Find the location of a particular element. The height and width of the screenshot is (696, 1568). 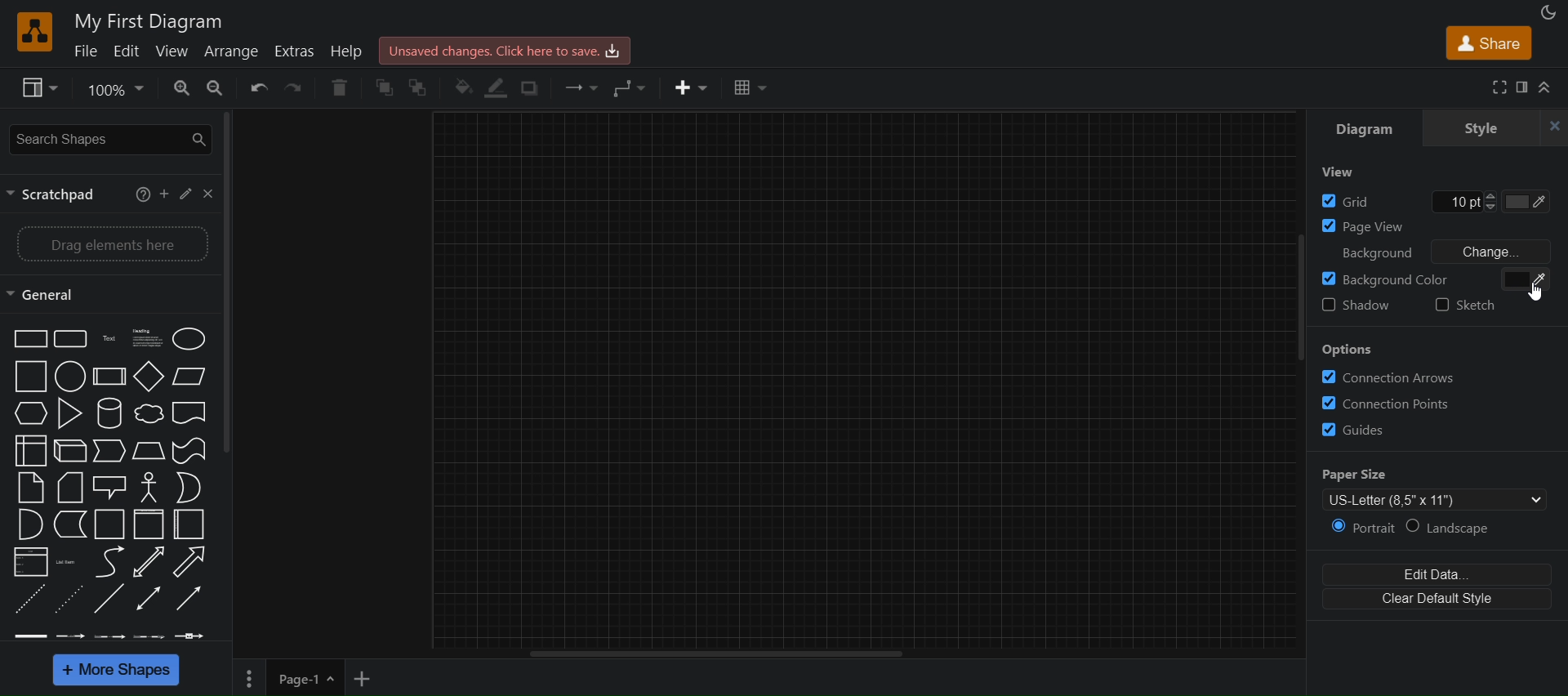

help is located at coordinates (142, 196).